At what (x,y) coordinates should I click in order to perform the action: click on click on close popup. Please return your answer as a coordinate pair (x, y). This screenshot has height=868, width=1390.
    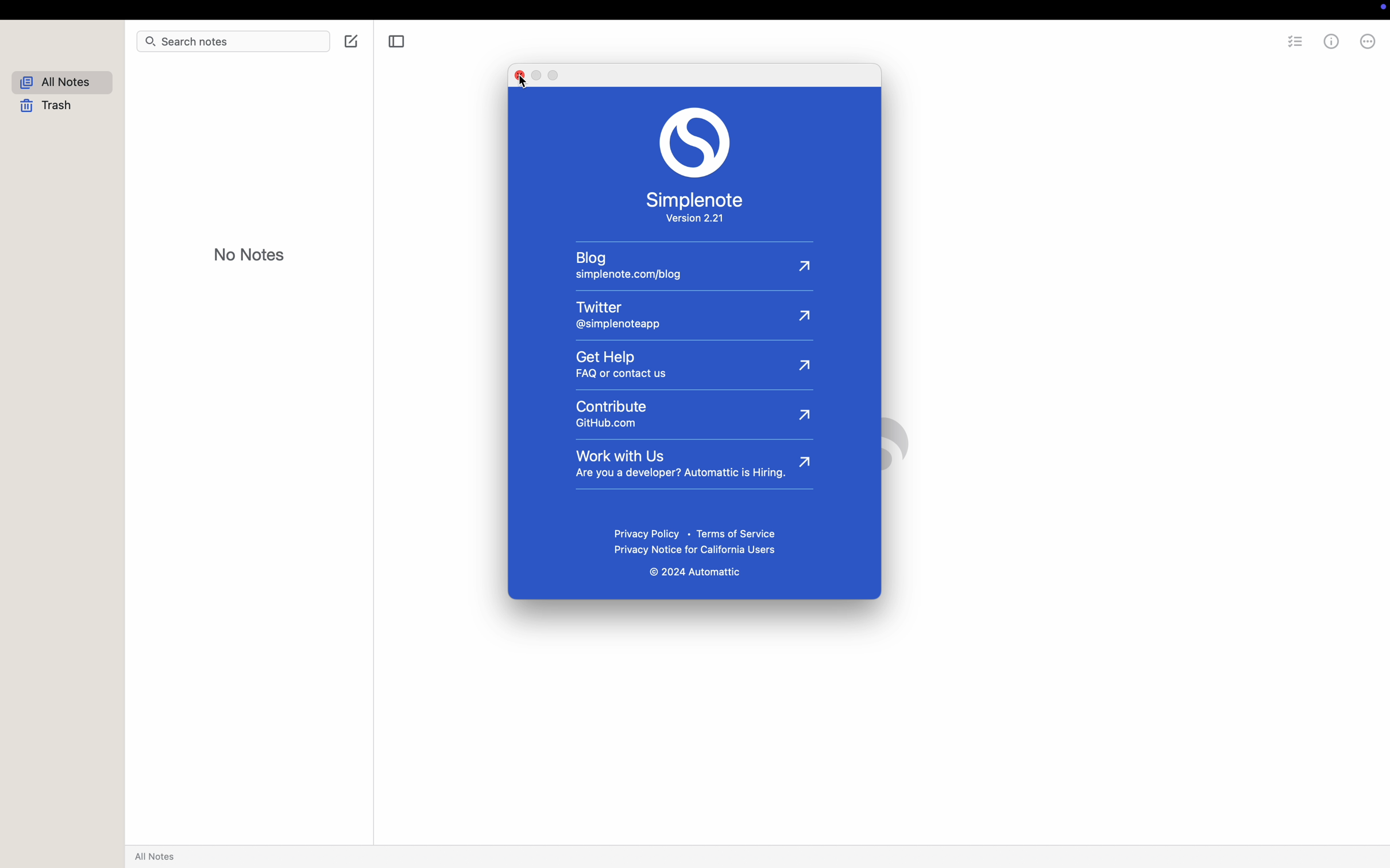
    Looking at the image, I should click on (519, 79).